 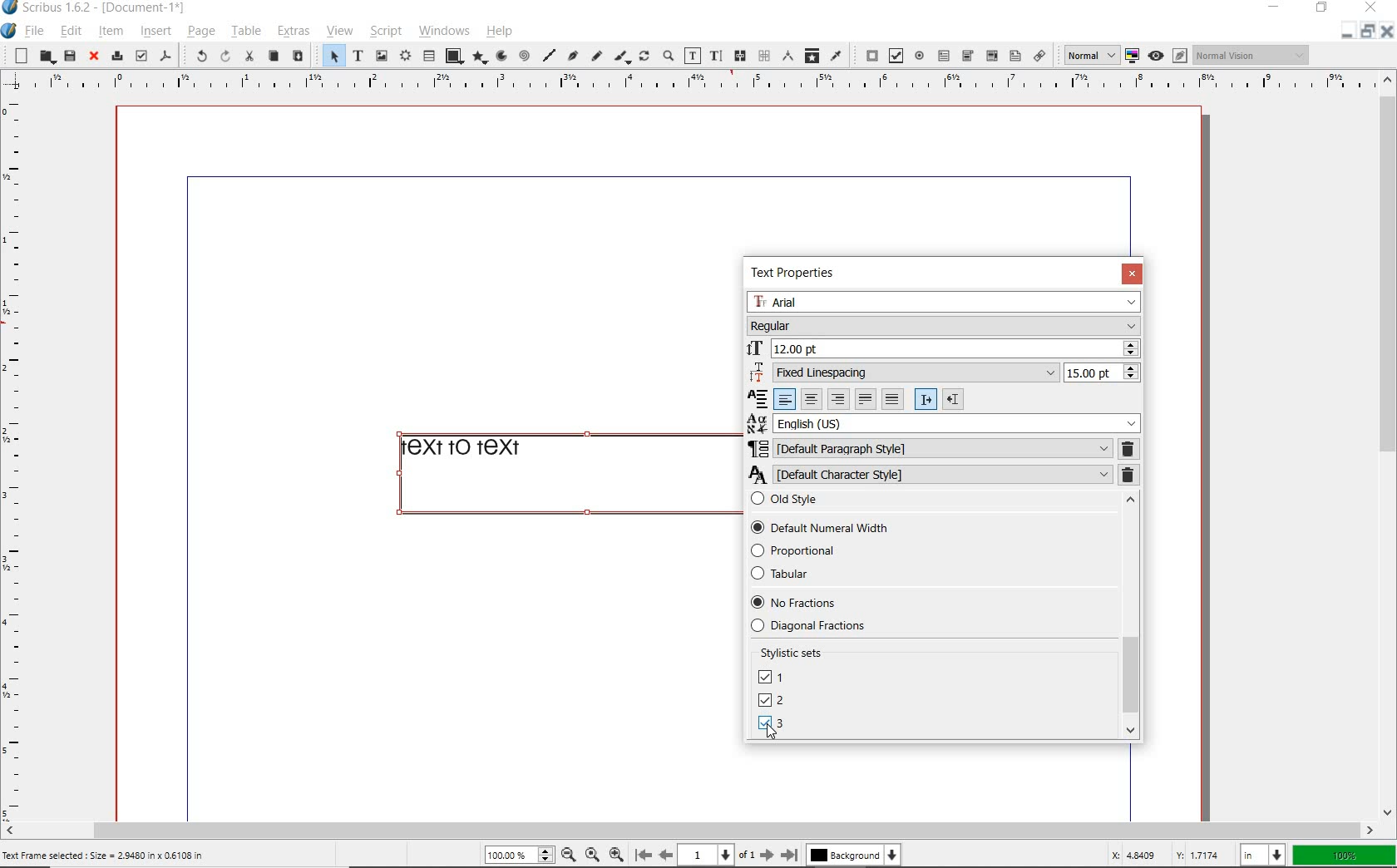 I want to click on text to text, so click(x=562, y=474).